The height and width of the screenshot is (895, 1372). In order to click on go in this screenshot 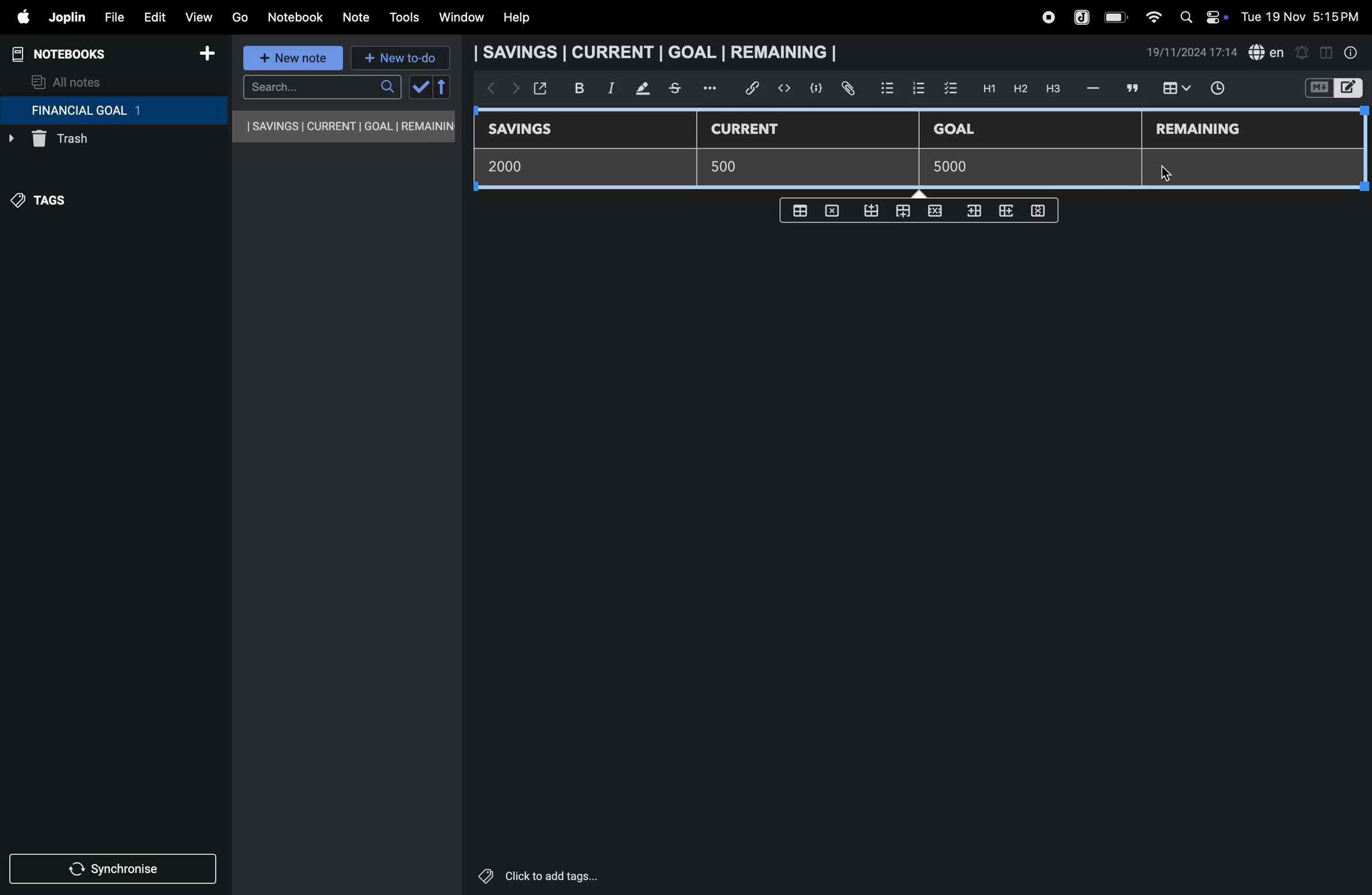, I will do `click(240, 16)`.